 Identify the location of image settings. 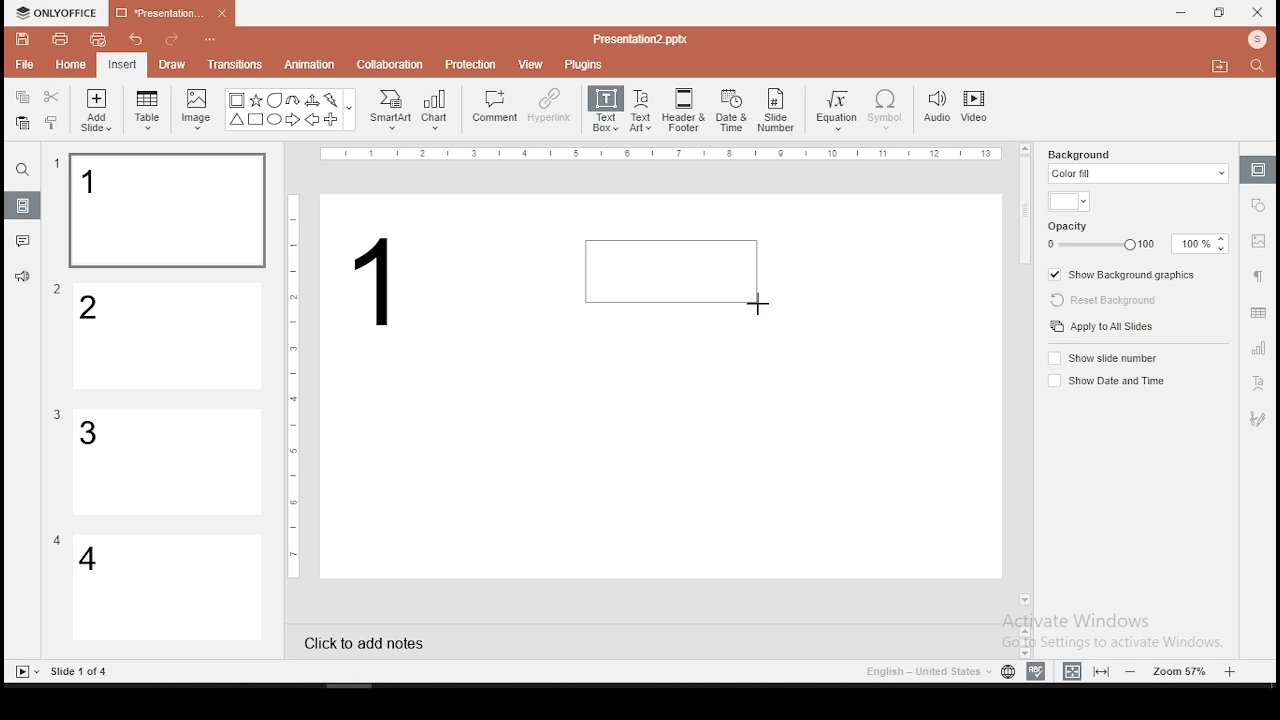
(1256, 243).